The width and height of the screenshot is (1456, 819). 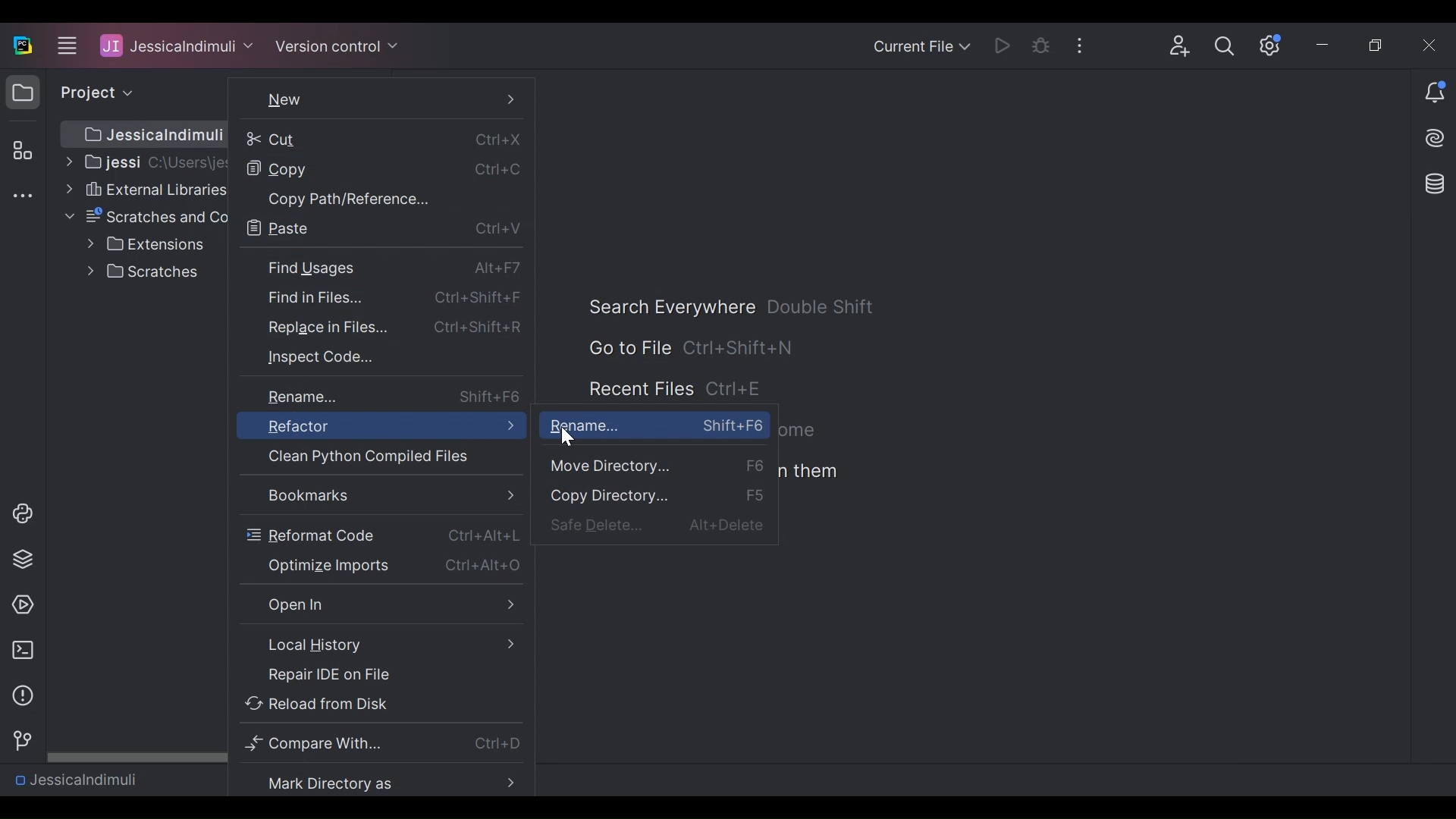 What do you see at coordinates (379, 267) in the screenshot?
I see `Find Usage` at bounding box center [379, 267].